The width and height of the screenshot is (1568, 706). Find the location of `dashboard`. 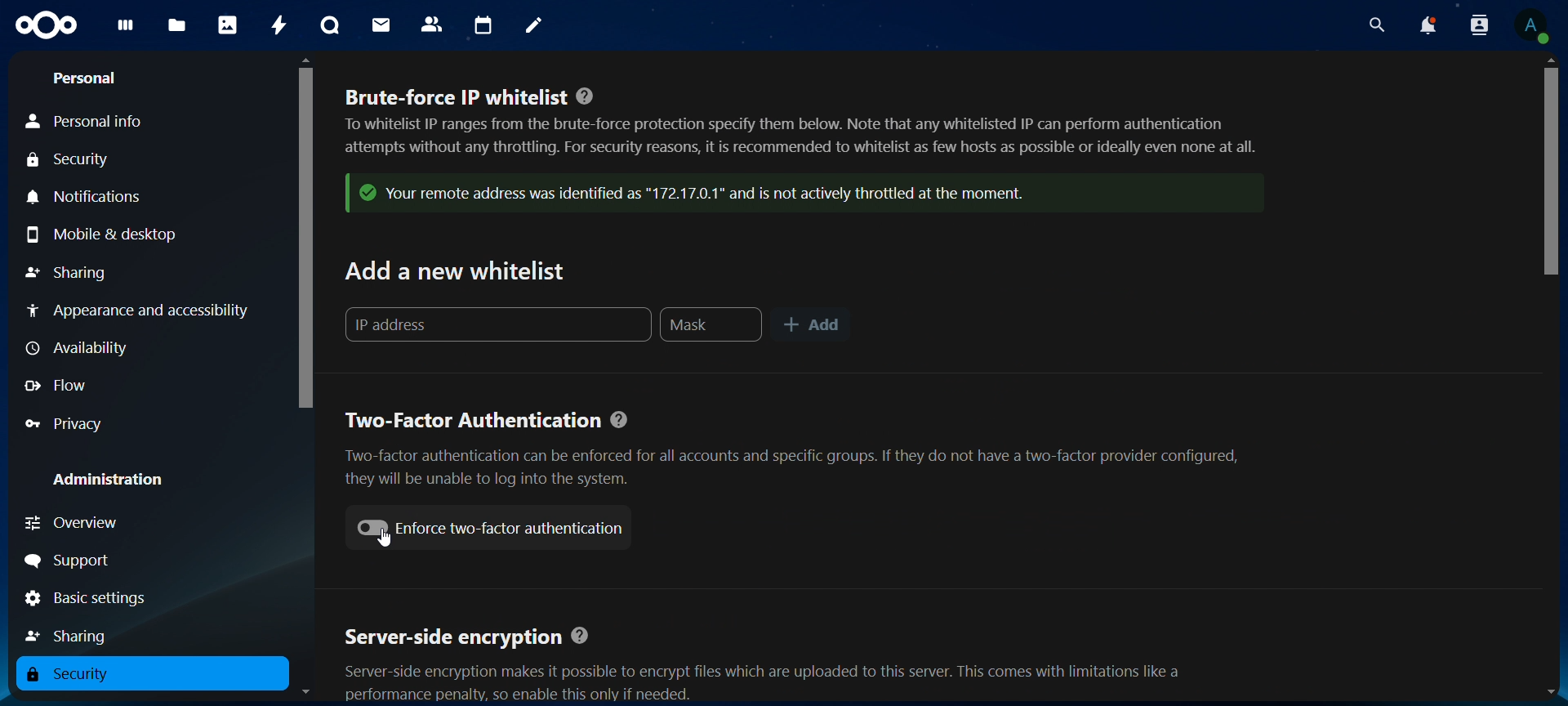

dashboard is located at coordinates (126, 29).